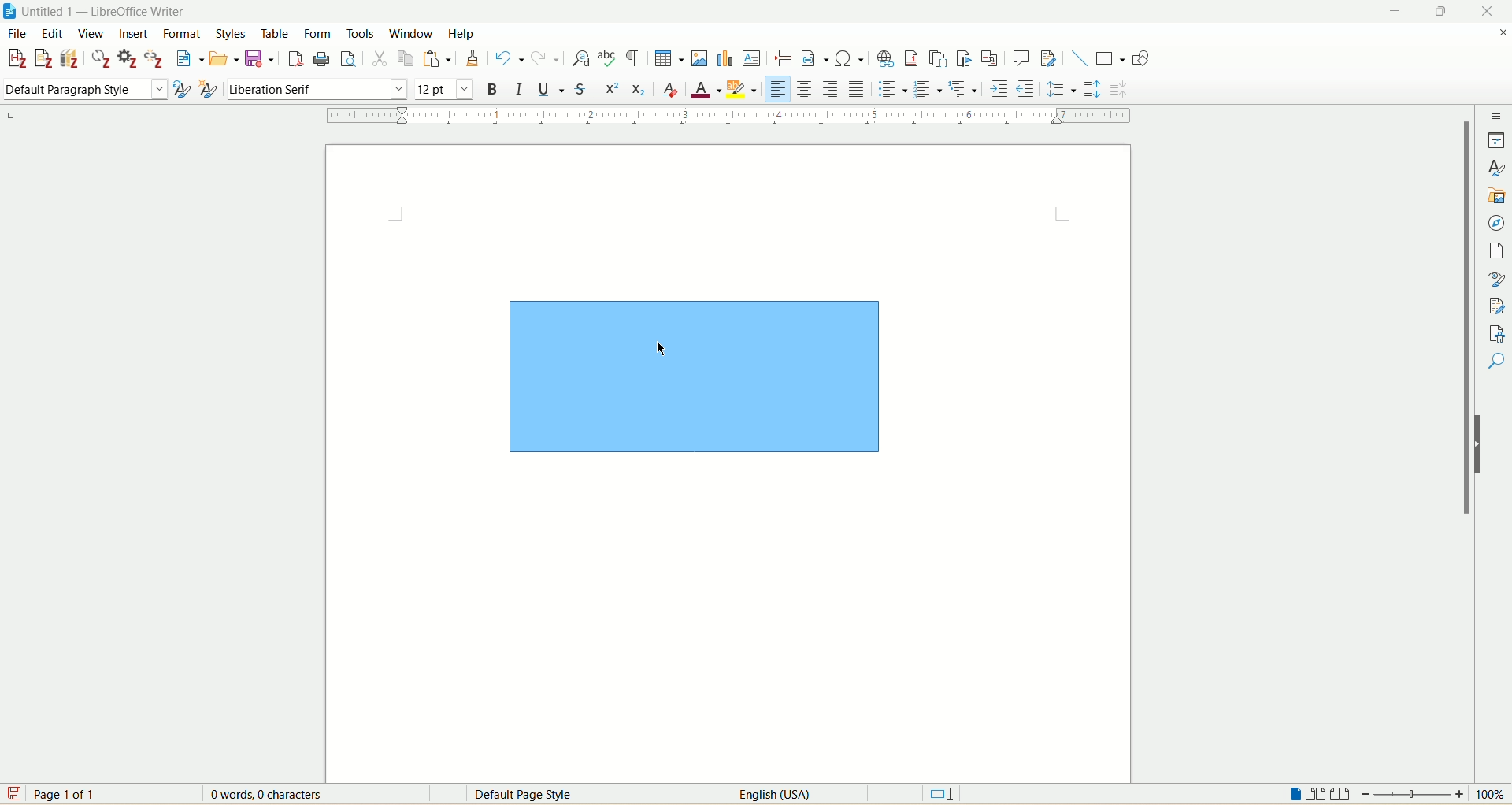 Image resolution: width=1512 pixels, height=805 pixels. Describe the element at coordinates (1443, 11) in the screenshot. I see `maximize` at that location.